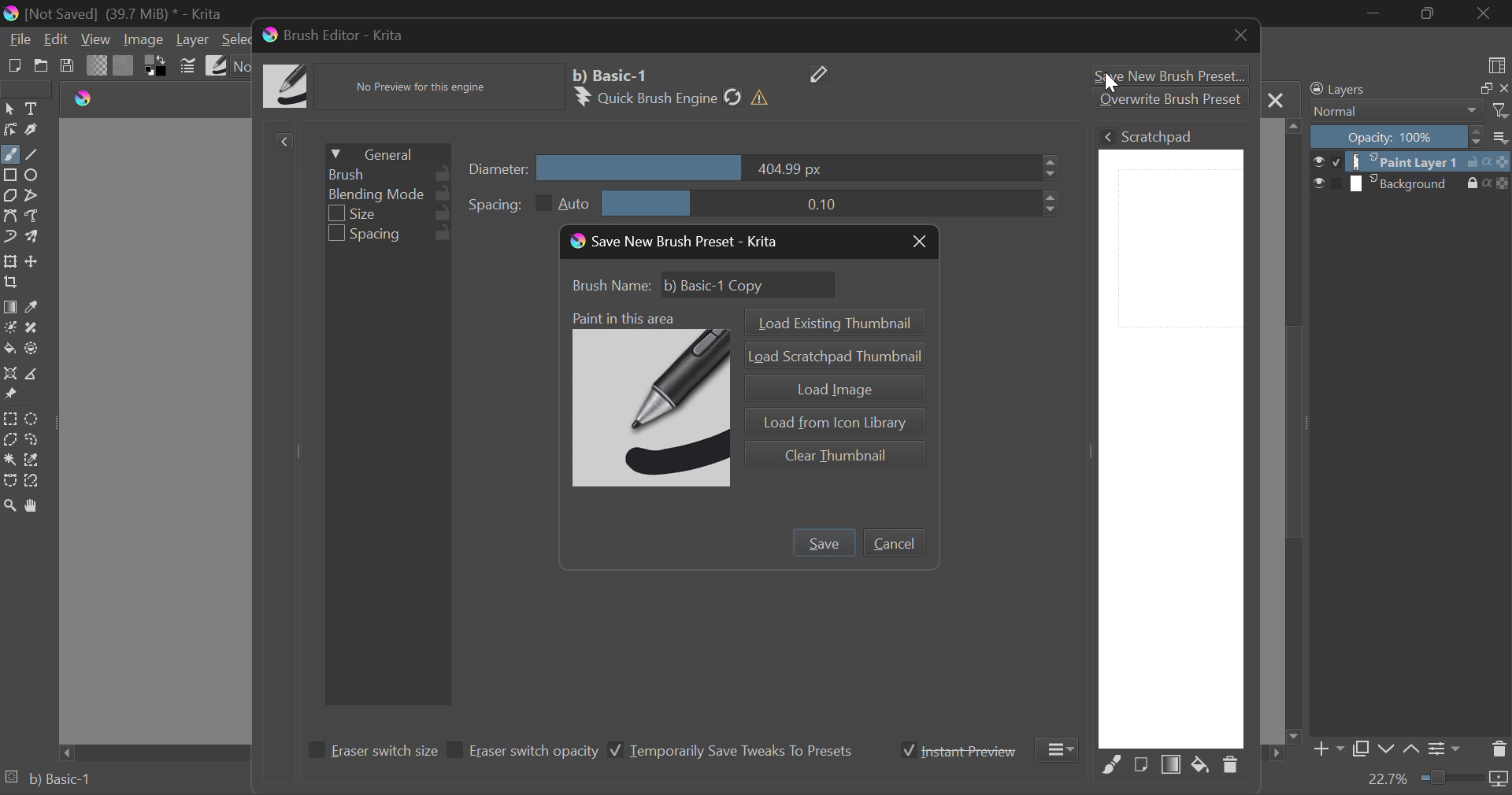 The image size is (1512, 795). Describe the element at coordinates (98, 65) in the screenshot. I see `Gradient` at that location.